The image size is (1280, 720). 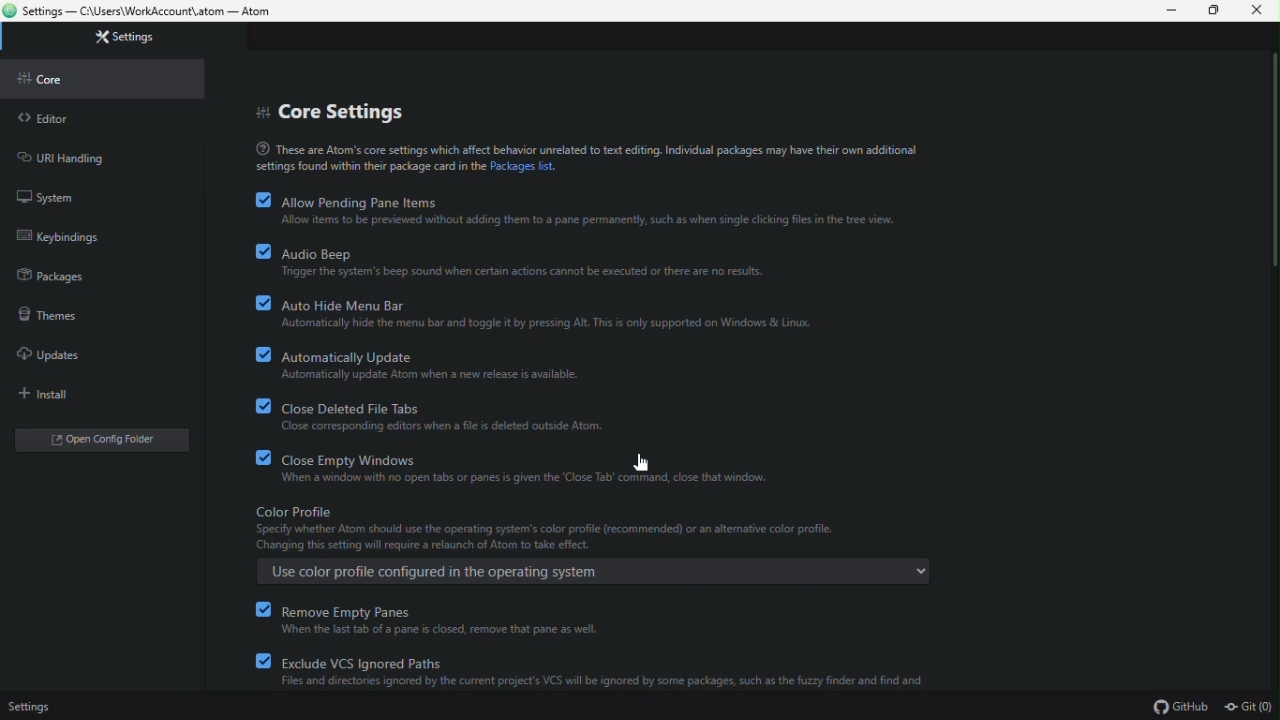 I want to click on Settings, so click(x=132, y=38).